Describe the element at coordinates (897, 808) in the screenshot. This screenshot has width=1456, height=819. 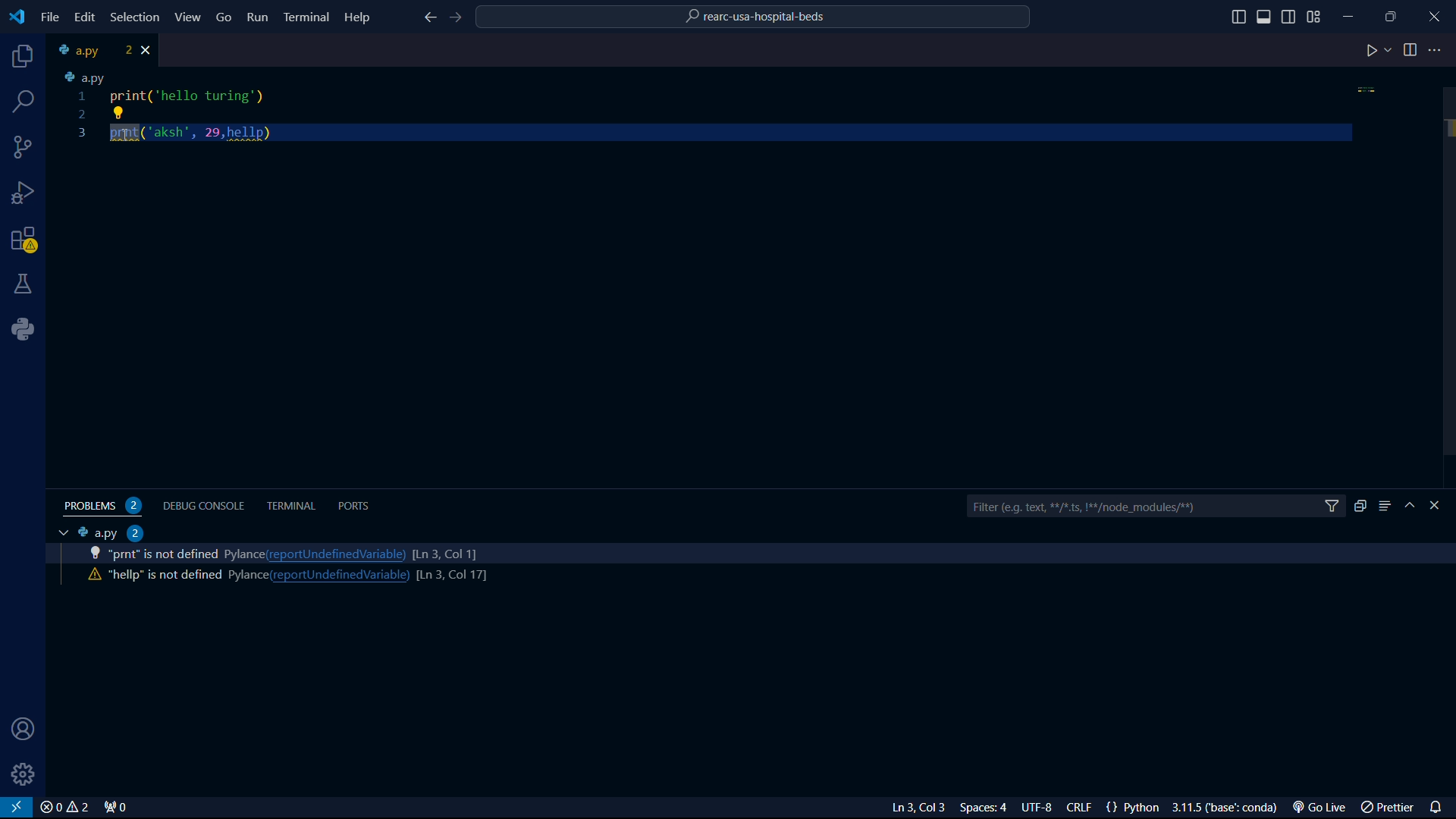
I see `Ln 3 Col 23` at that location.